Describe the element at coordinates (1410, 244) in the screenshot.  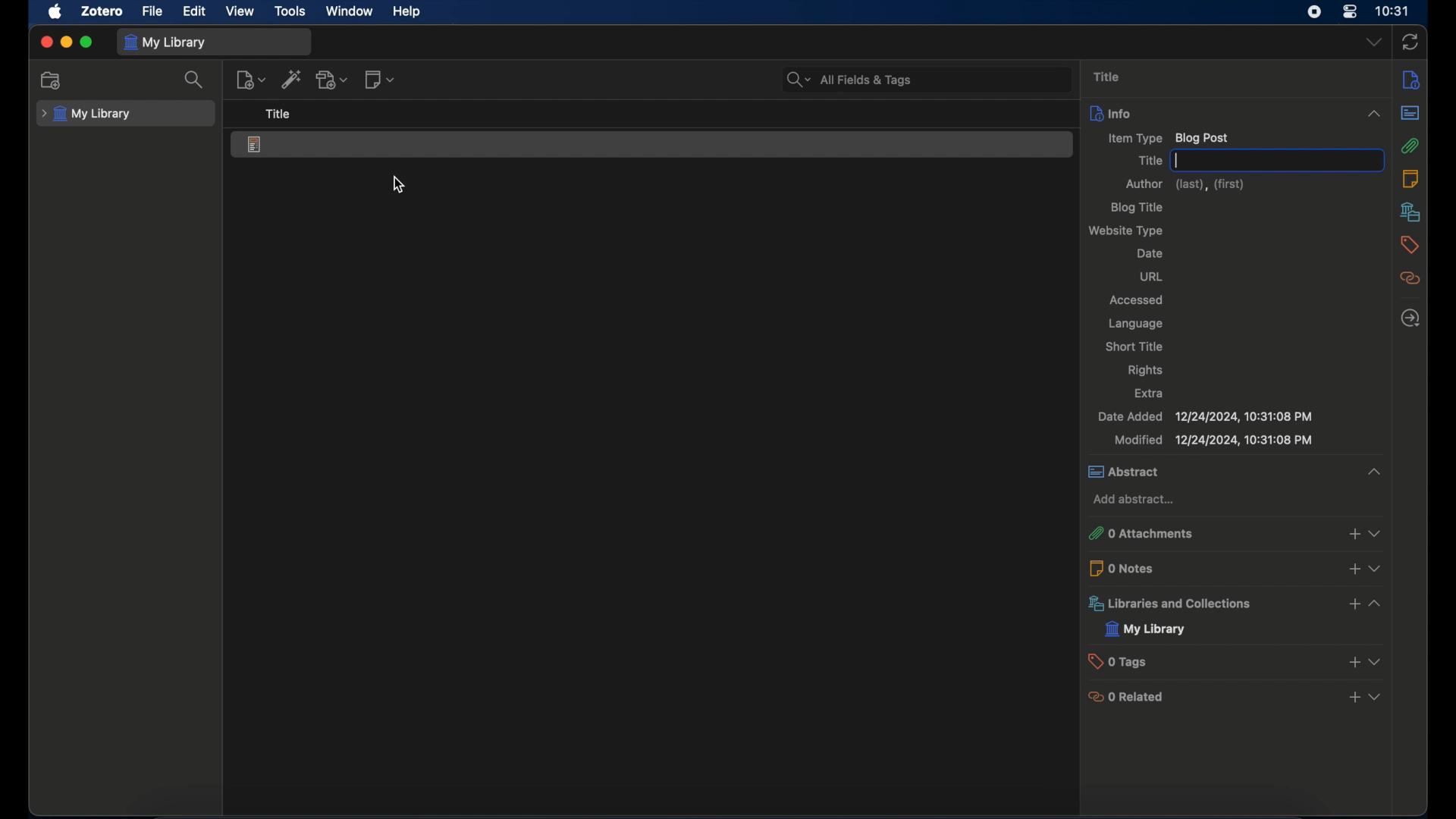
I see `tags` at that location.